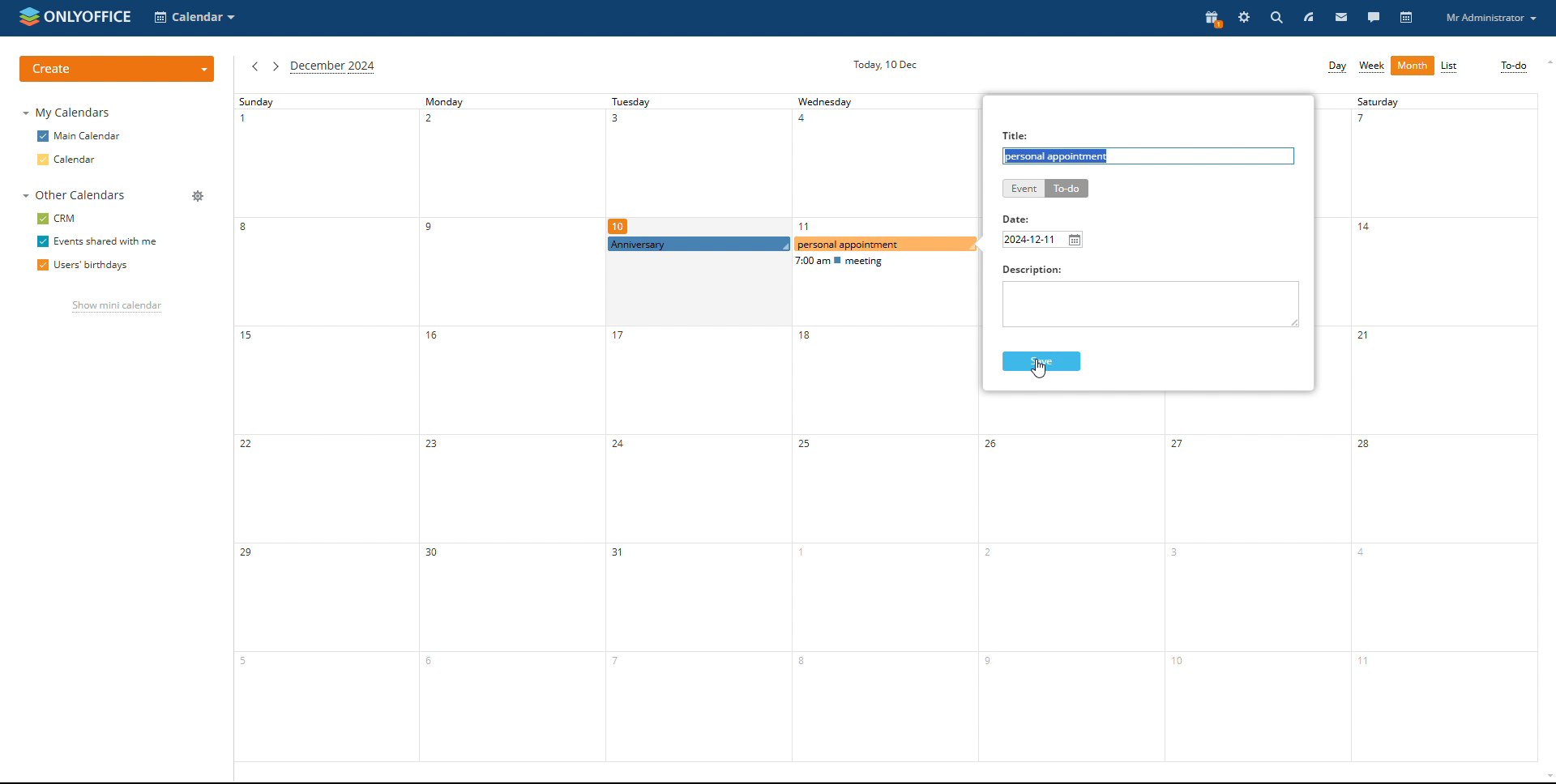 The height and width of the screenshot is (784, 1556). I want to click on profile, so click(1493, 18).